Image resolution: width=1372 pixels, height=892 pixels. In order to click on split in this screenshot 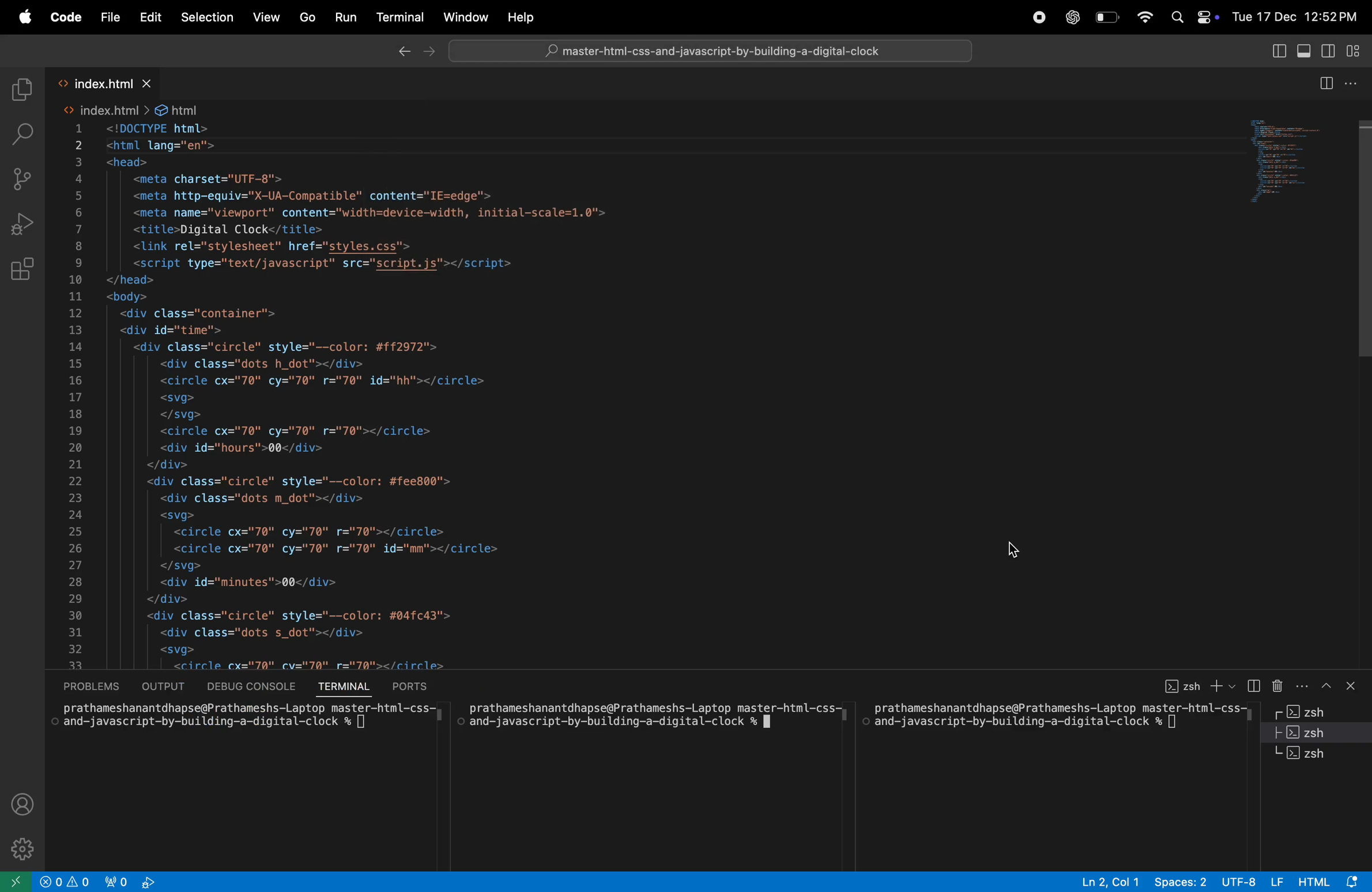, I will do `click(1324, 83)`.